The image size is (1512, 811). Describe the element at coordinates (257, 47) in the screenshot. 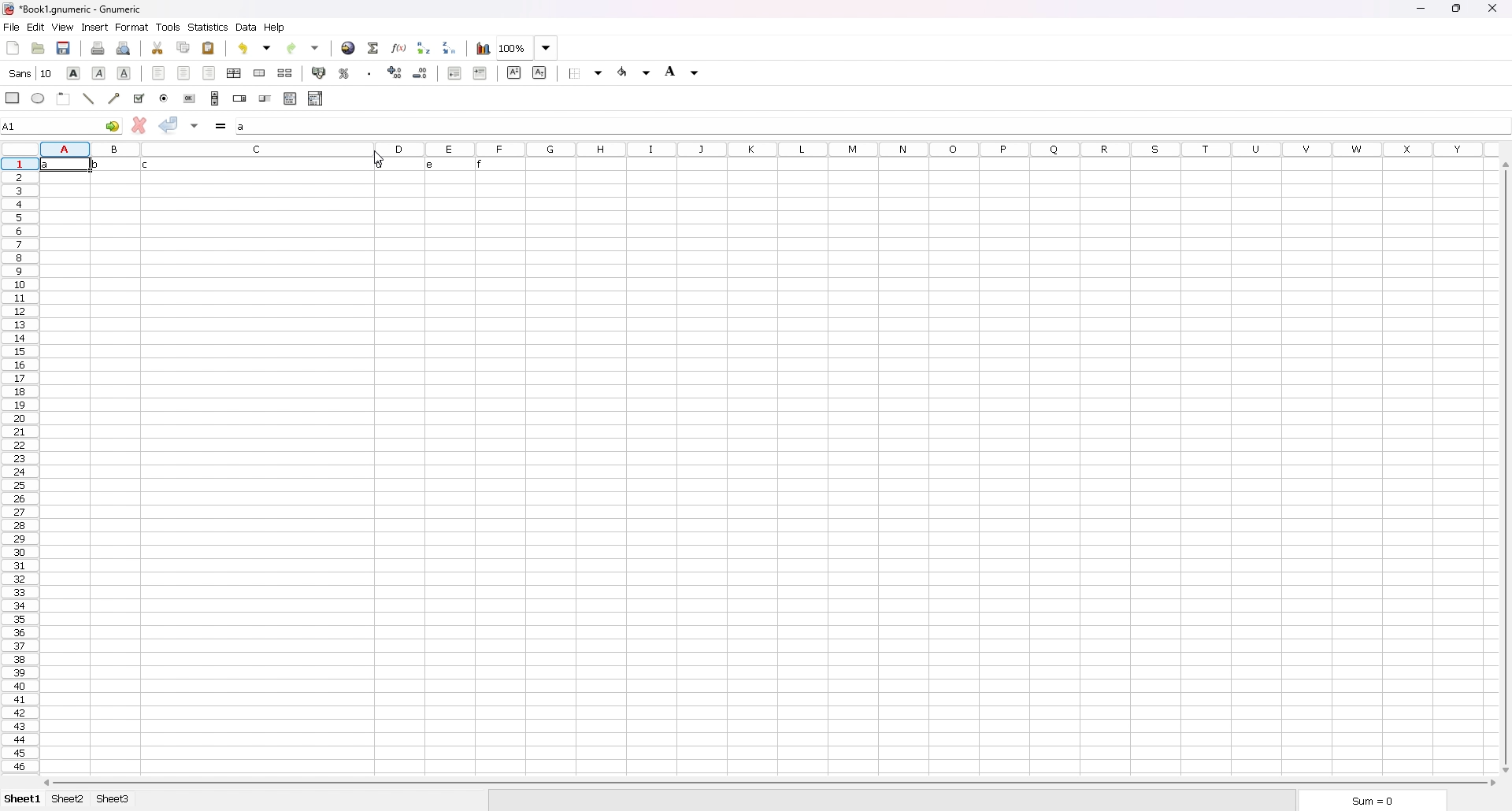

I see `undo` at that location.